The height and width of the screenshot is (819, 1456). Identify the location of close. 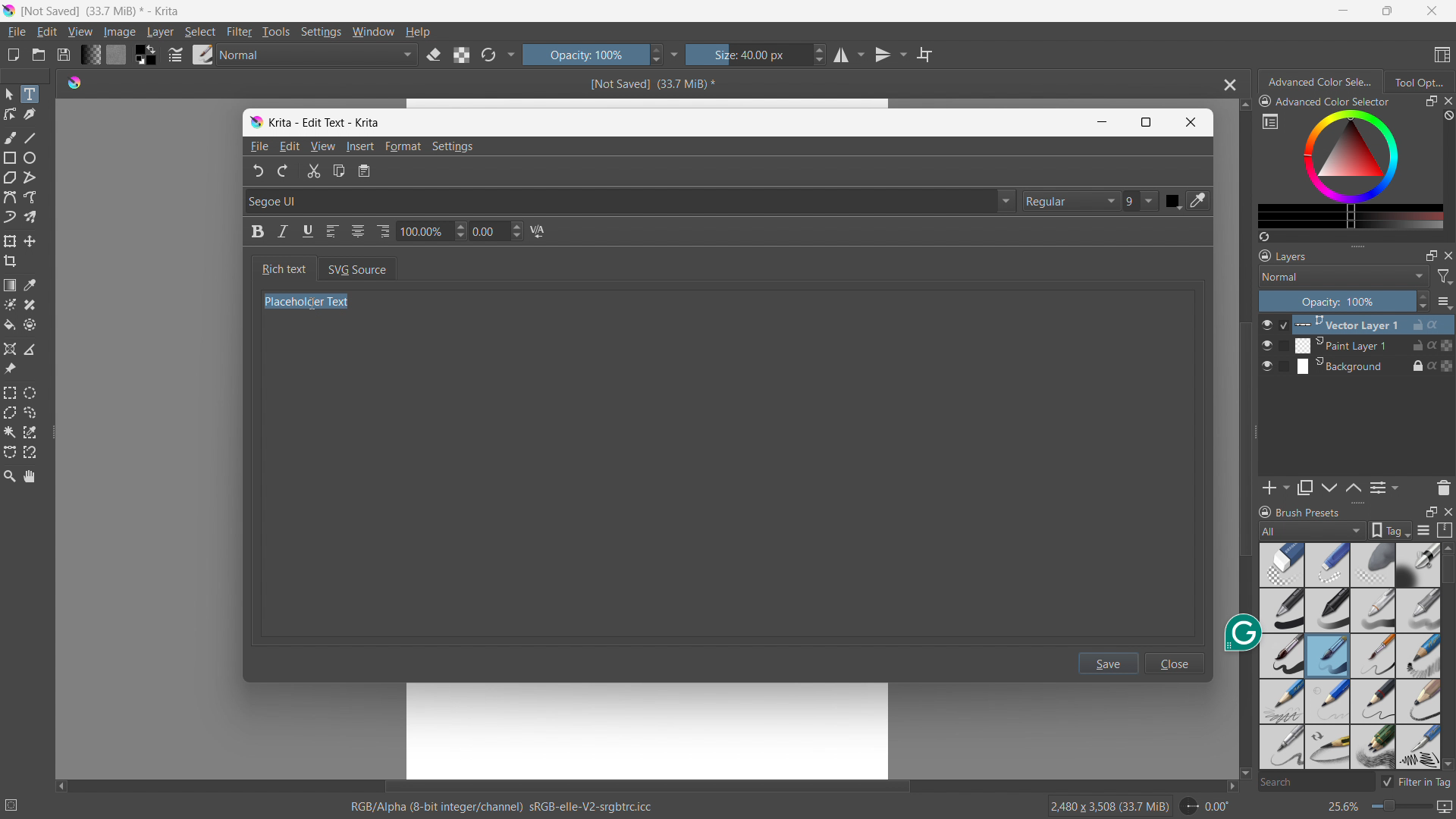
(1447, 255).